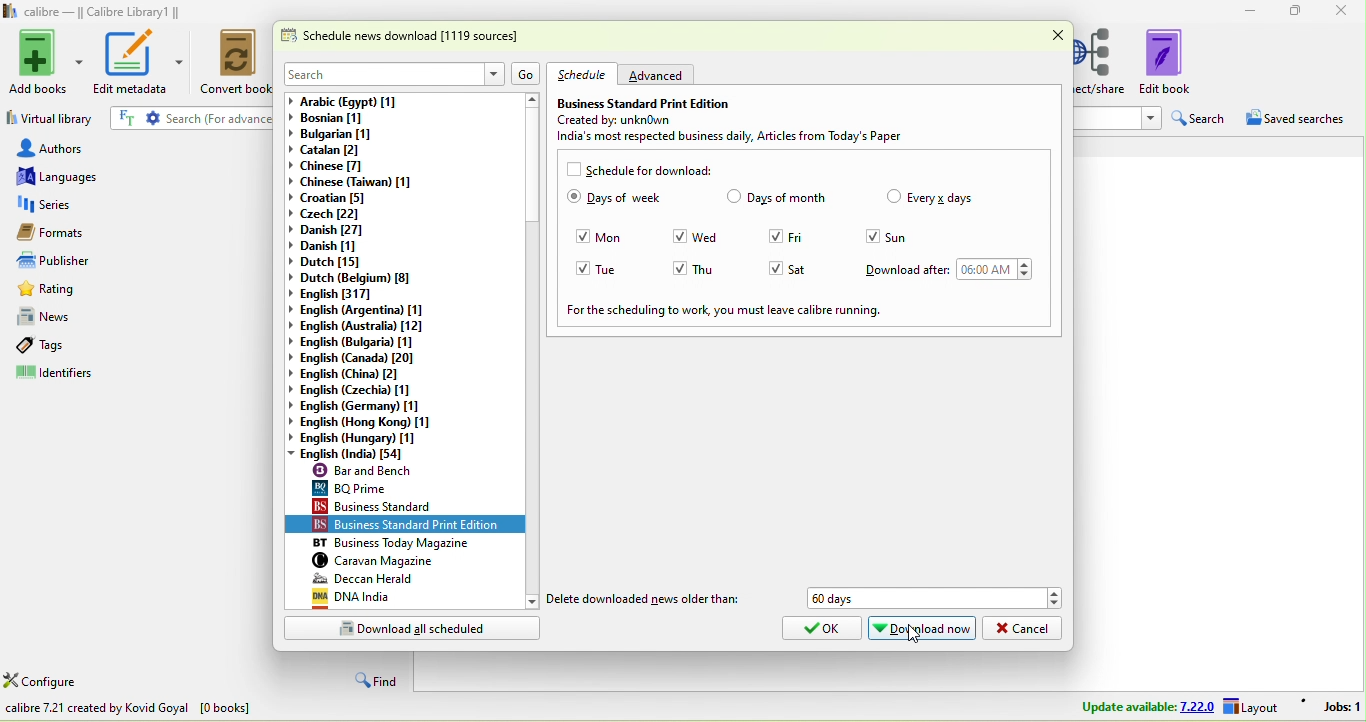  Describe the element at coordinates (46, 680) in the screenshot. I see `configure` at that location.